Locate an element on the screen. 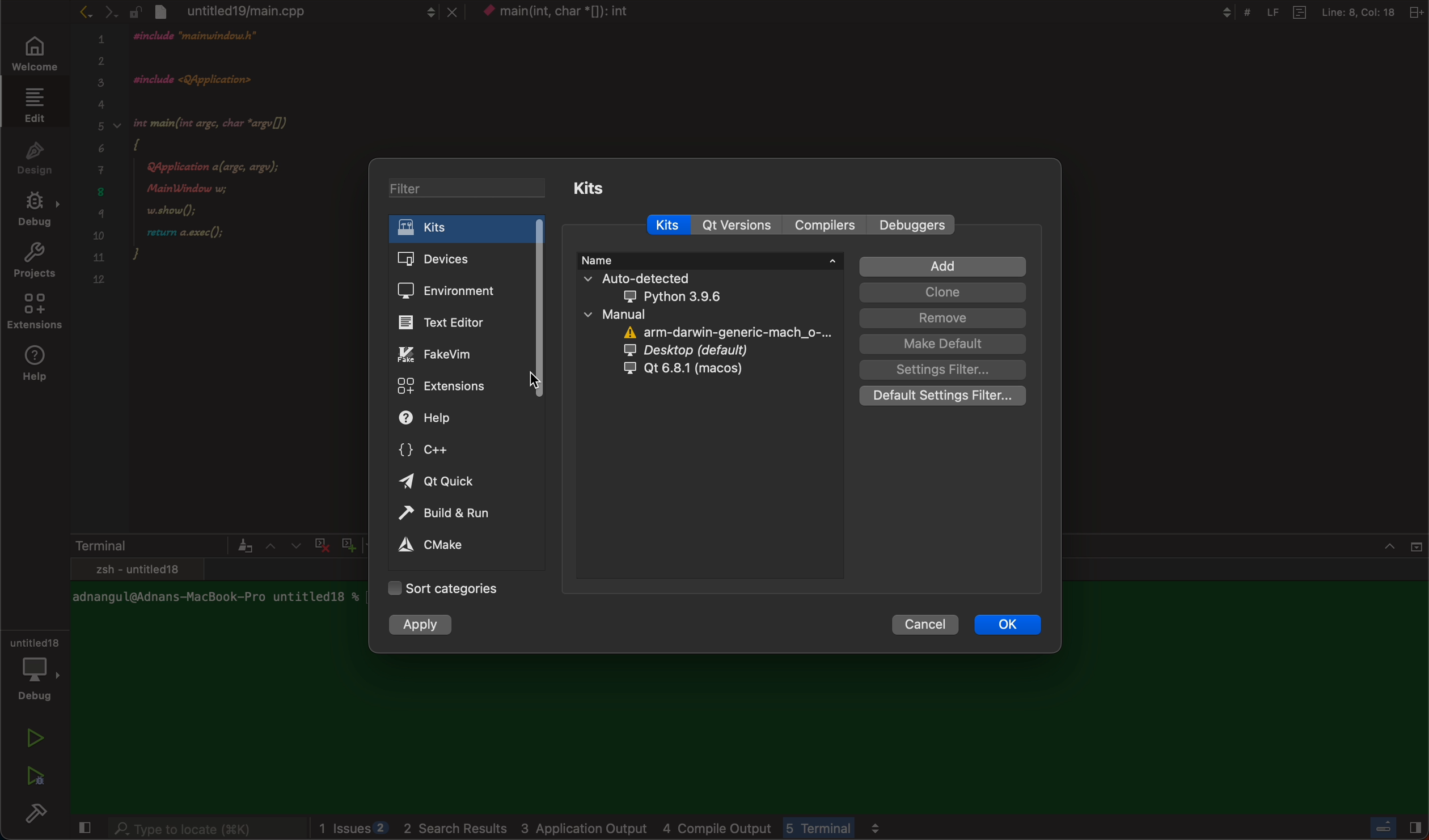  sort is located at coordinates (447, 590).